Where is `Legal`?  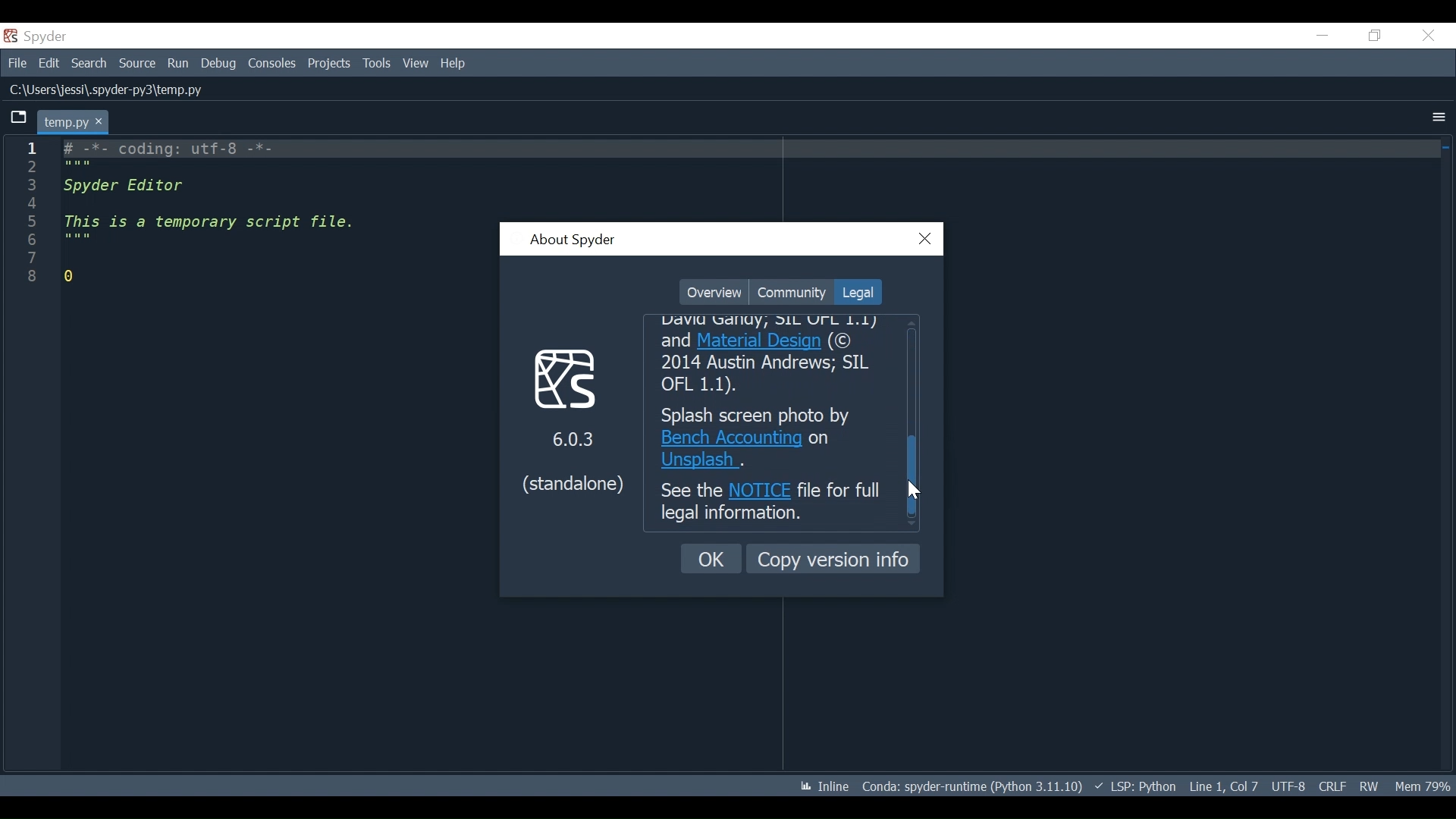 Legal is located at coordinates (856, 292).